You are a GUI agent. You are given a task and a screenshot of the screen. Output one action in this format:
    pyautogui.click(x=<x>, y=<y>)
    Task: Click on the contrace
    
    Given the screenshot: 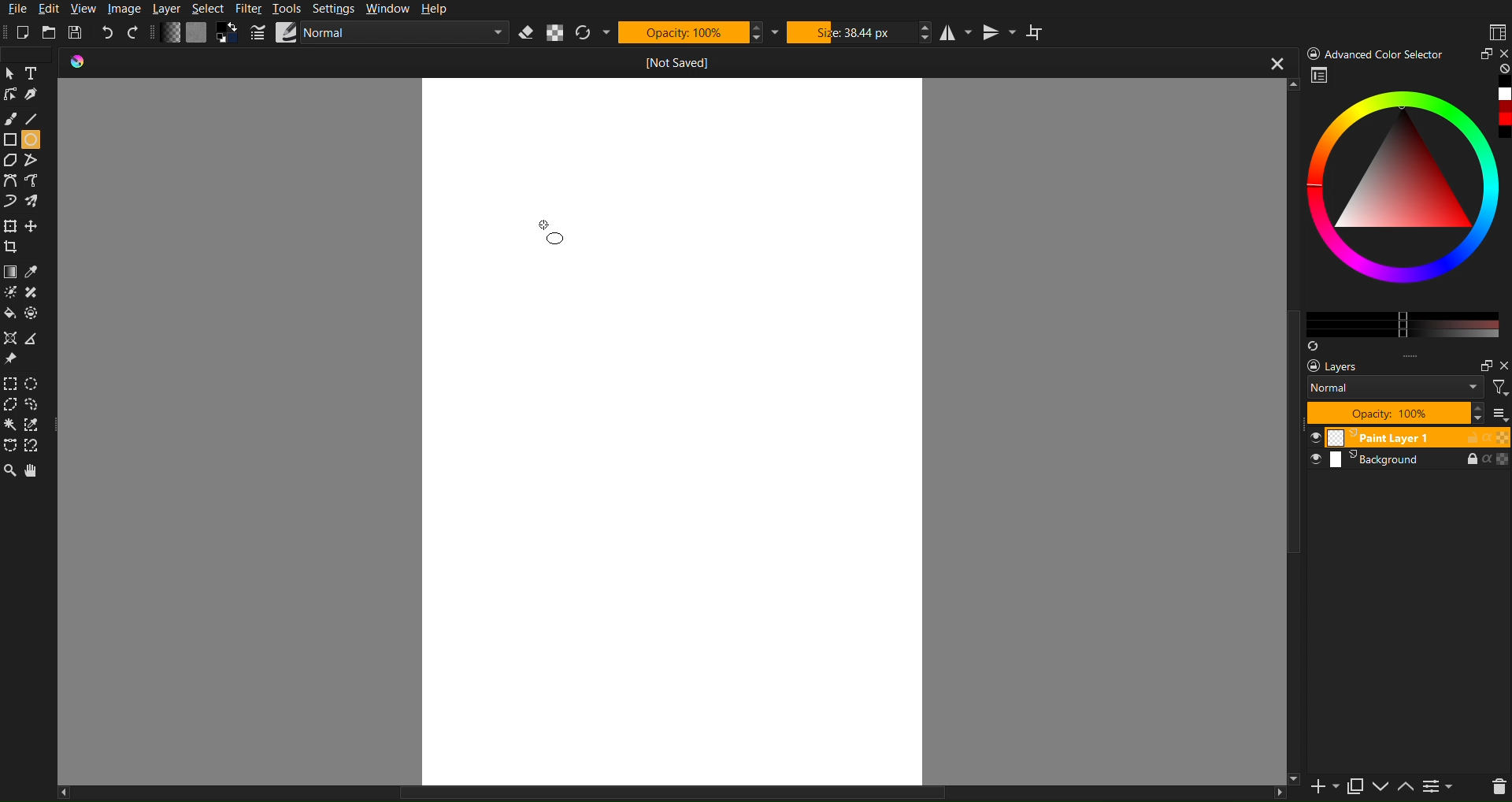 What is the action you would take?
    pyautogui.click(x=1443, y=786)
    